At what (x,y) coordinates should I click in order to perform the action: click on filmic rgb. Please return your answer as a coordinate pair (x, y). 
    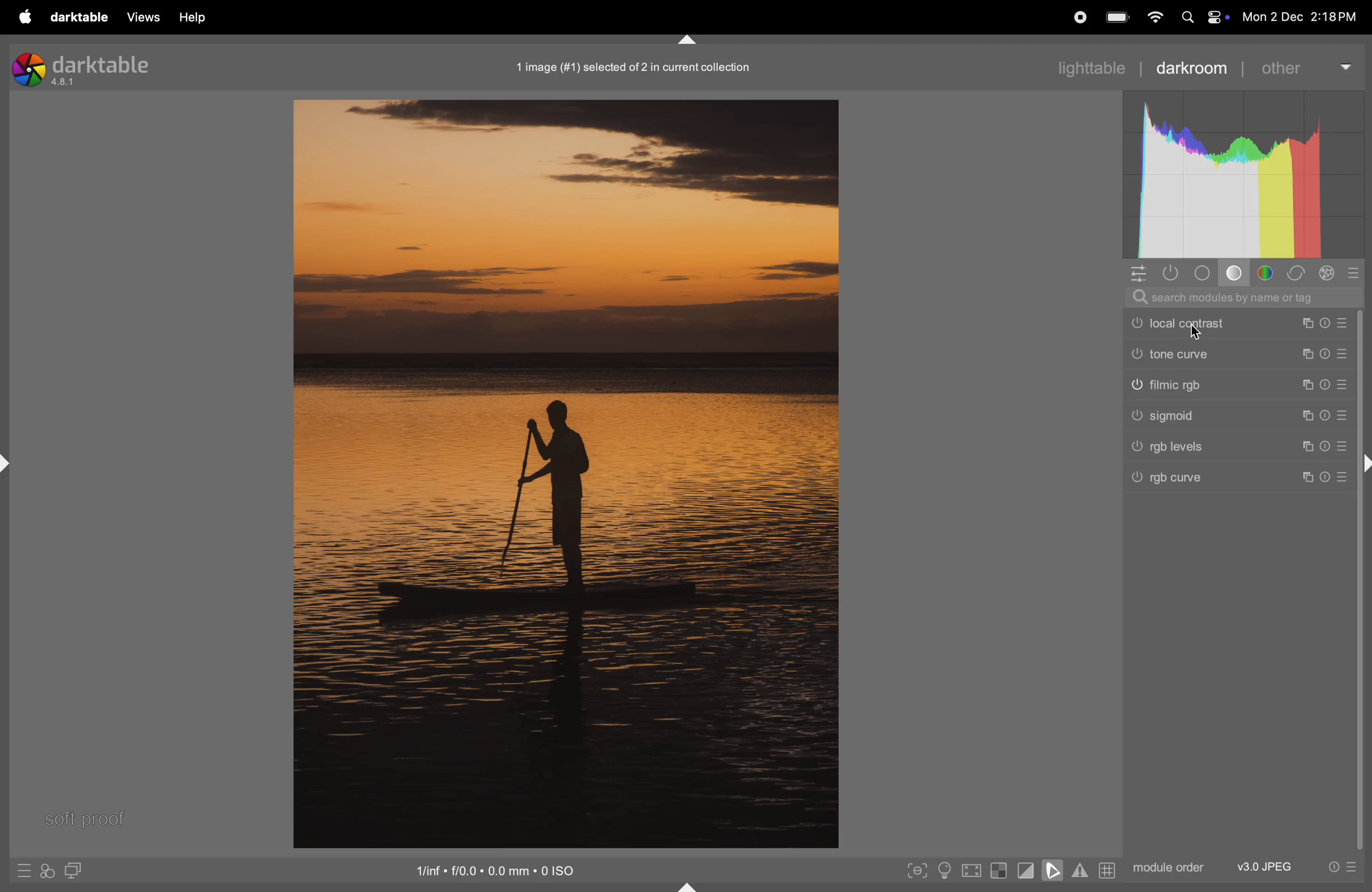
    Looking at the image, I should click on (1241, 385).